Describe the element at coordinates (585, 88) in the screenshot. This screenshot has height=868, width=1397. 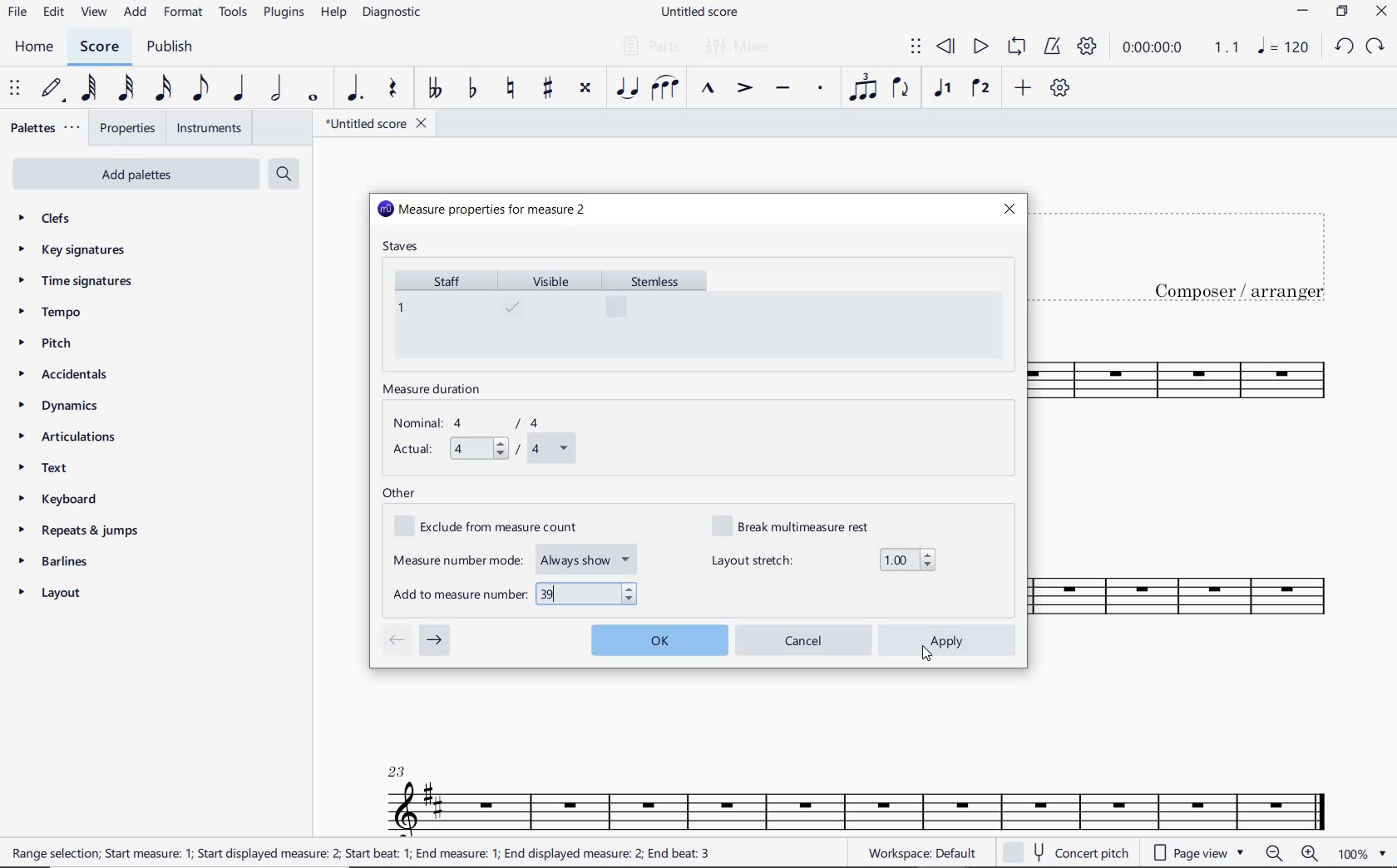
I see `TOGGLE DOUBLE-SHARP` at that location.